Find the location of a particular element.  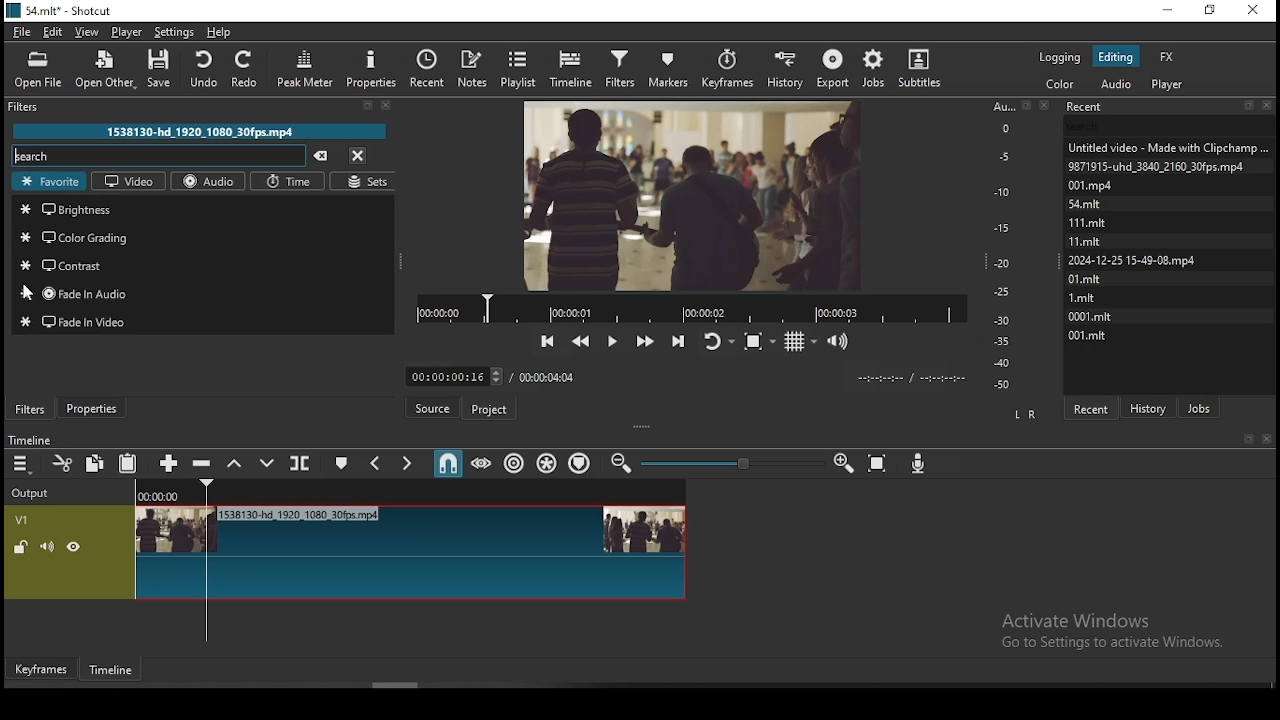

peak meter is located at coordinates (371, 68).